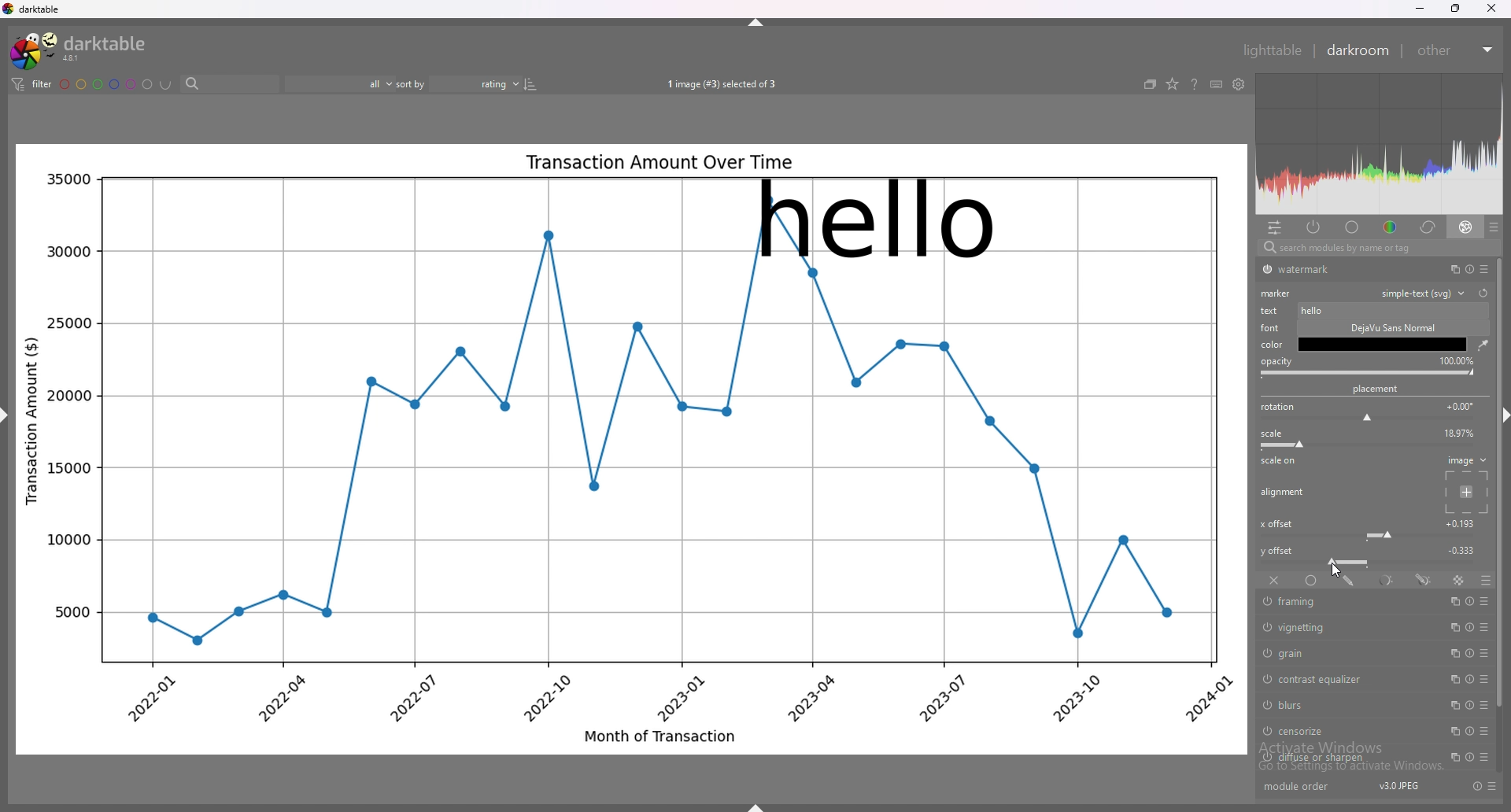 This screenshot has height=812, width=1511. Describe the element at coordinates (1419, 9) in the screenshot. I see `minimize` at that location.